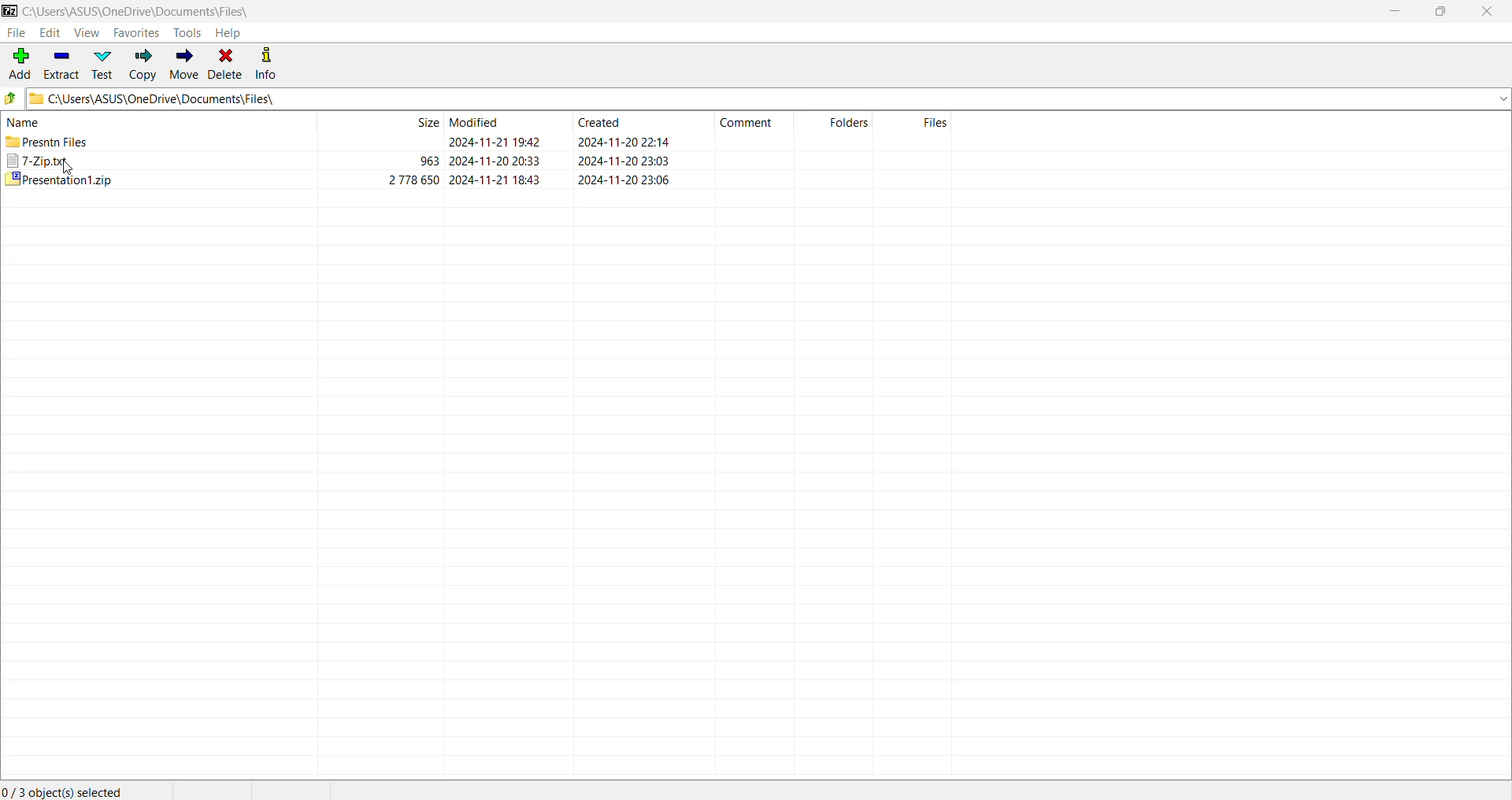 The width and height of the screenshot is (1512, 800). I want to click on comment, so click(746, 122).